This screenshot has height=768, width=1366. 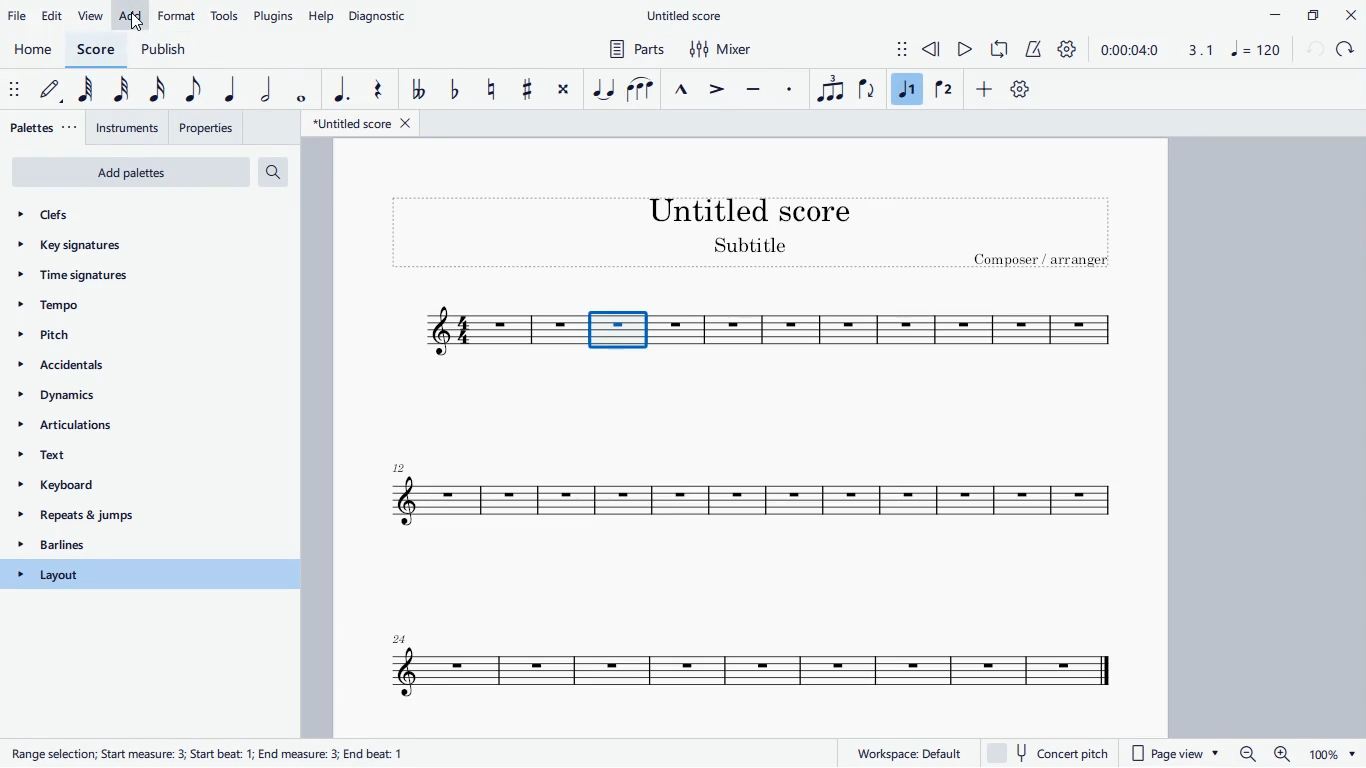 I want to click on move, so click(x=13, y=89).